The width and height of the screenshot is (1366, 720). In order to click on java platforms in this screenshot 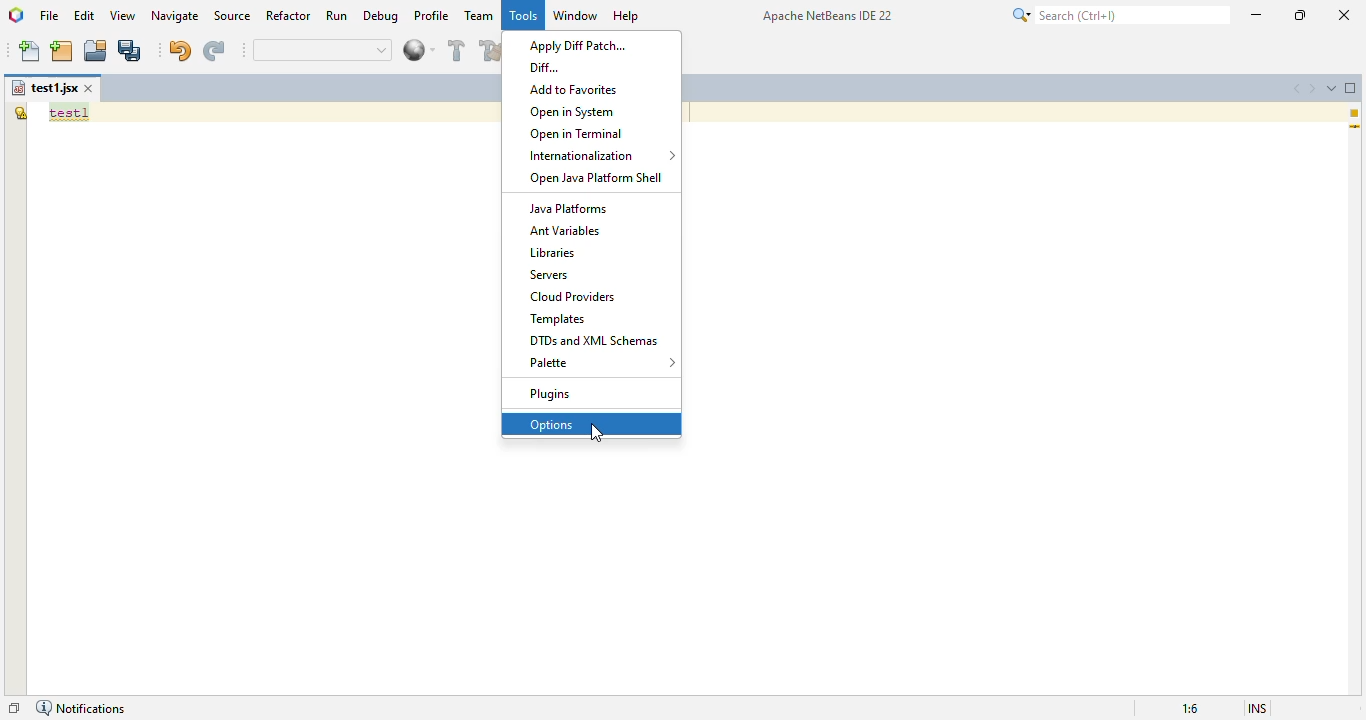, I will do `click(568, 208)`.